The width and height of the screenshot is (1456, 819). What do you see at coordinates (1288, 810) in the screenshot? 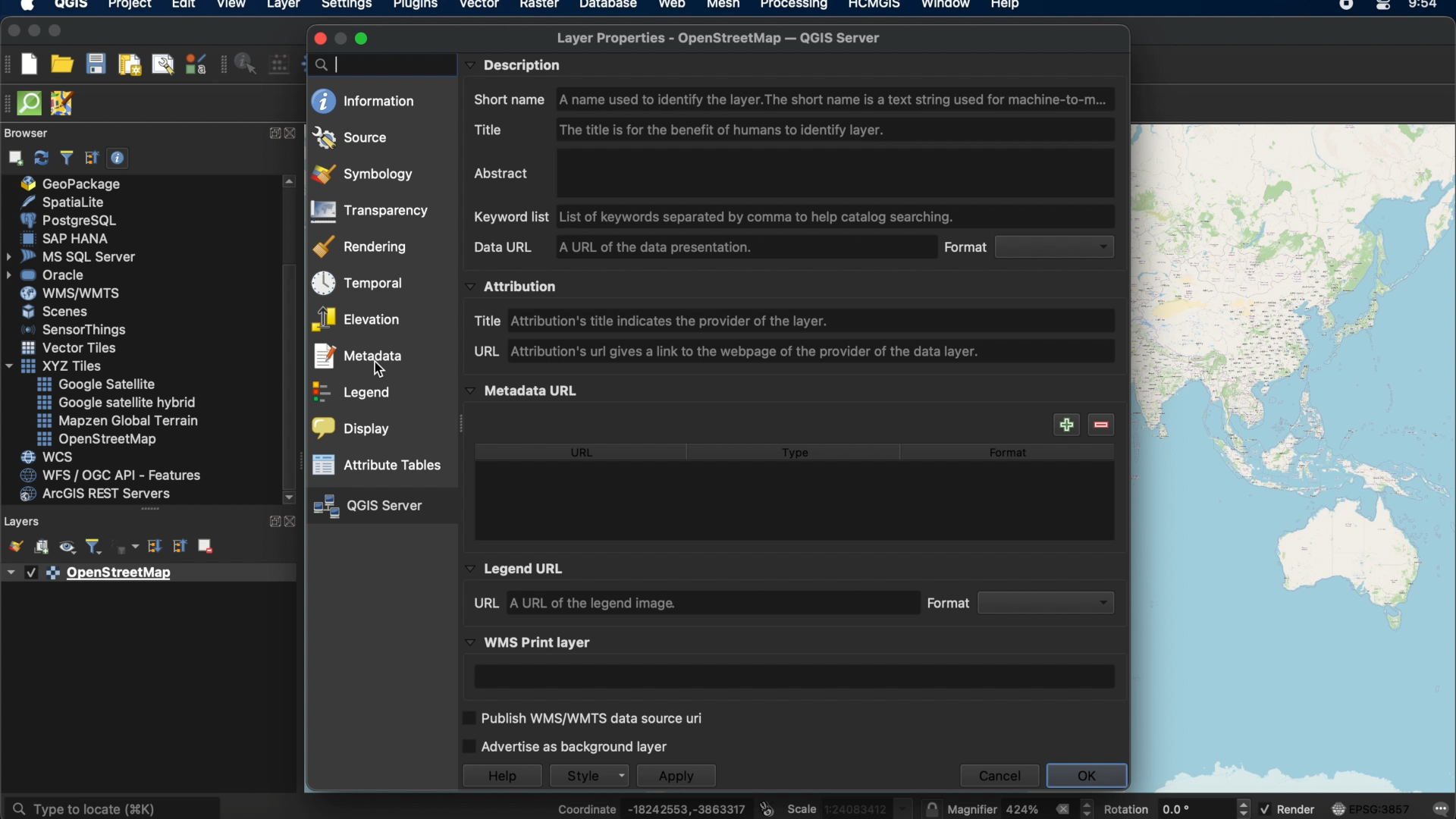
I see `render` at bounding box center [1288, 810].